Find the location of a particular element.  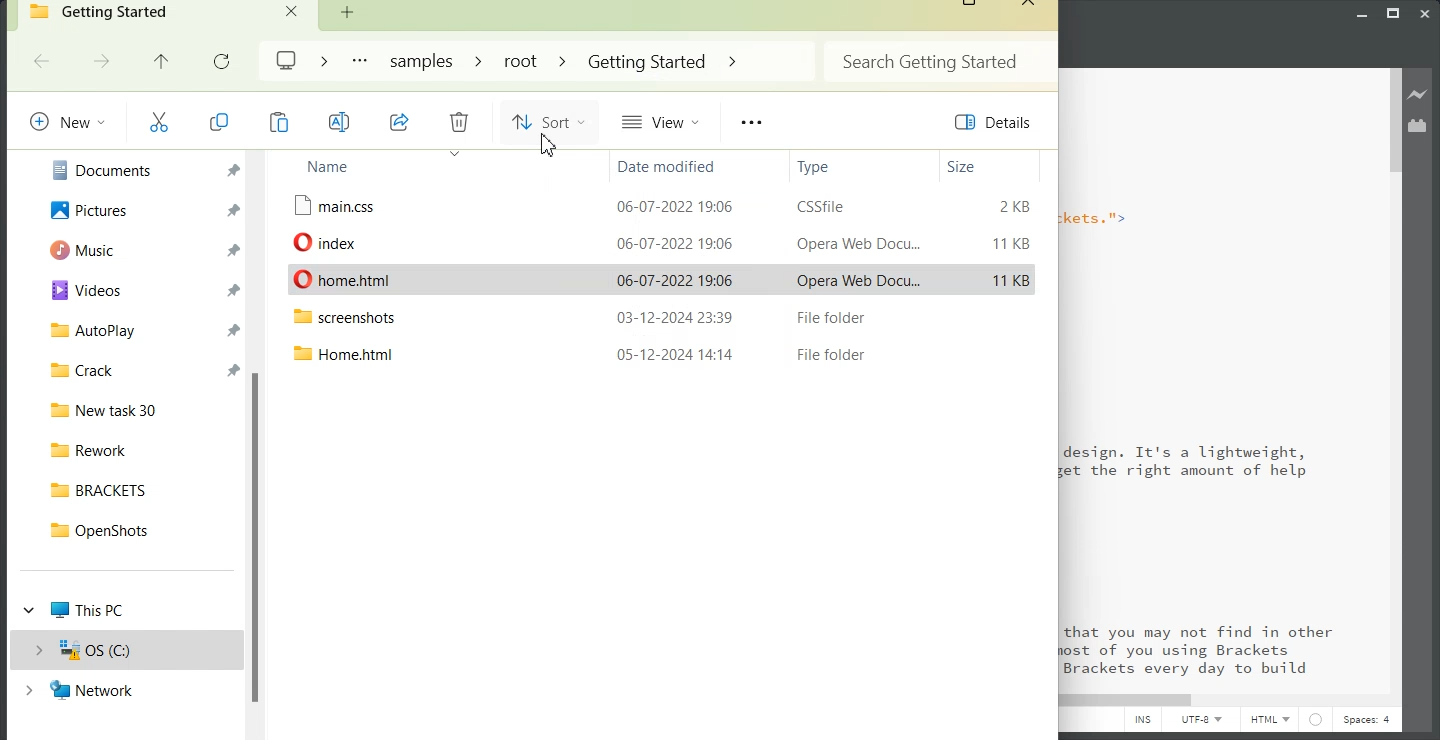

More is located at coordinates (358, 61).